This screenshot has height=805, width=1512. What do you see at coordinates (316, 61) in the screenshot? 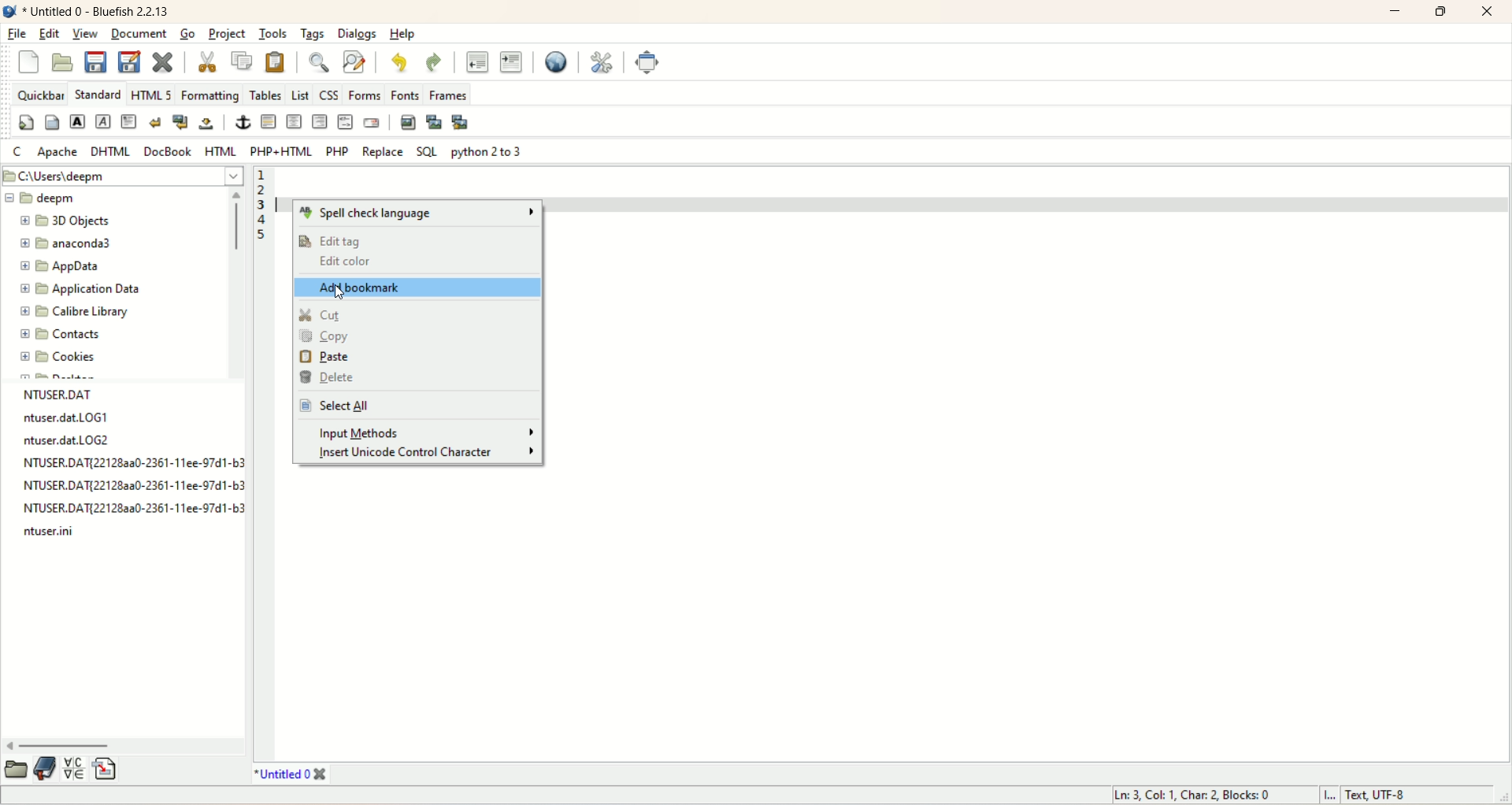
I see `show find bar` at bounding box center [316, 61].